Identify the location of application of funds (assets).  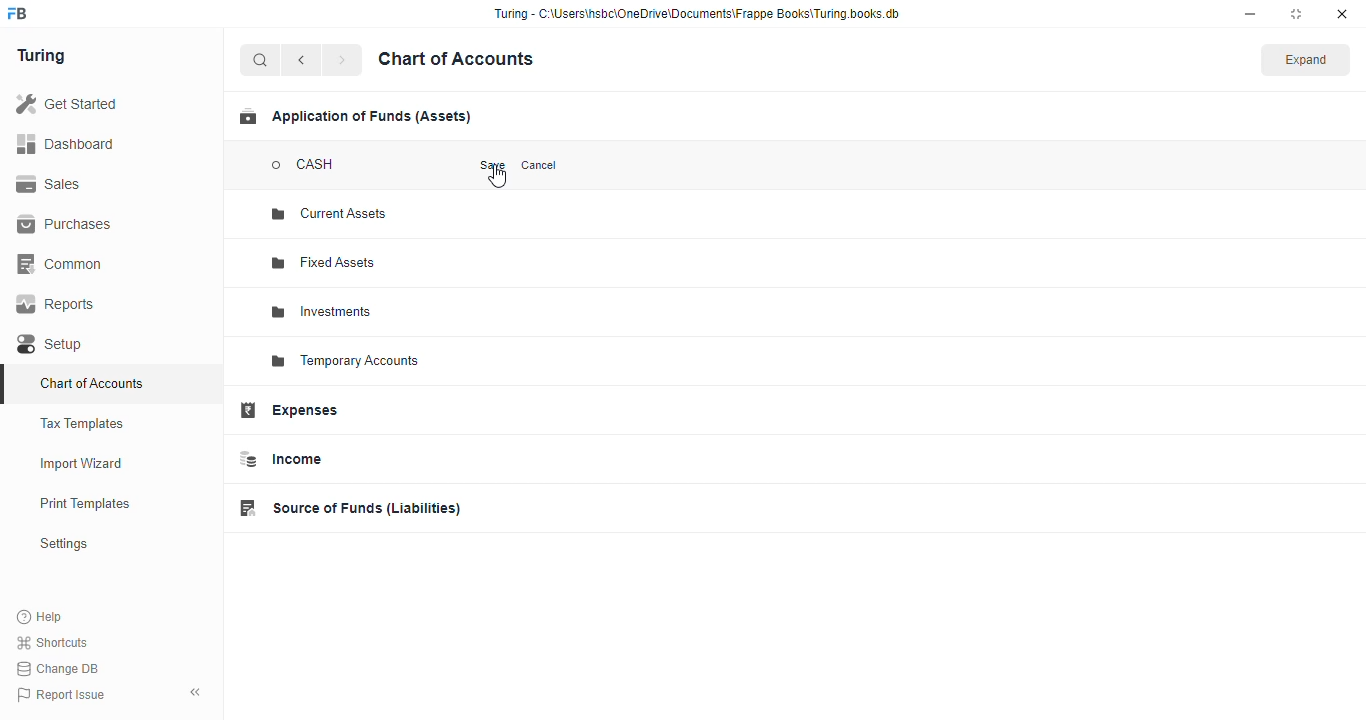
(355, 116).